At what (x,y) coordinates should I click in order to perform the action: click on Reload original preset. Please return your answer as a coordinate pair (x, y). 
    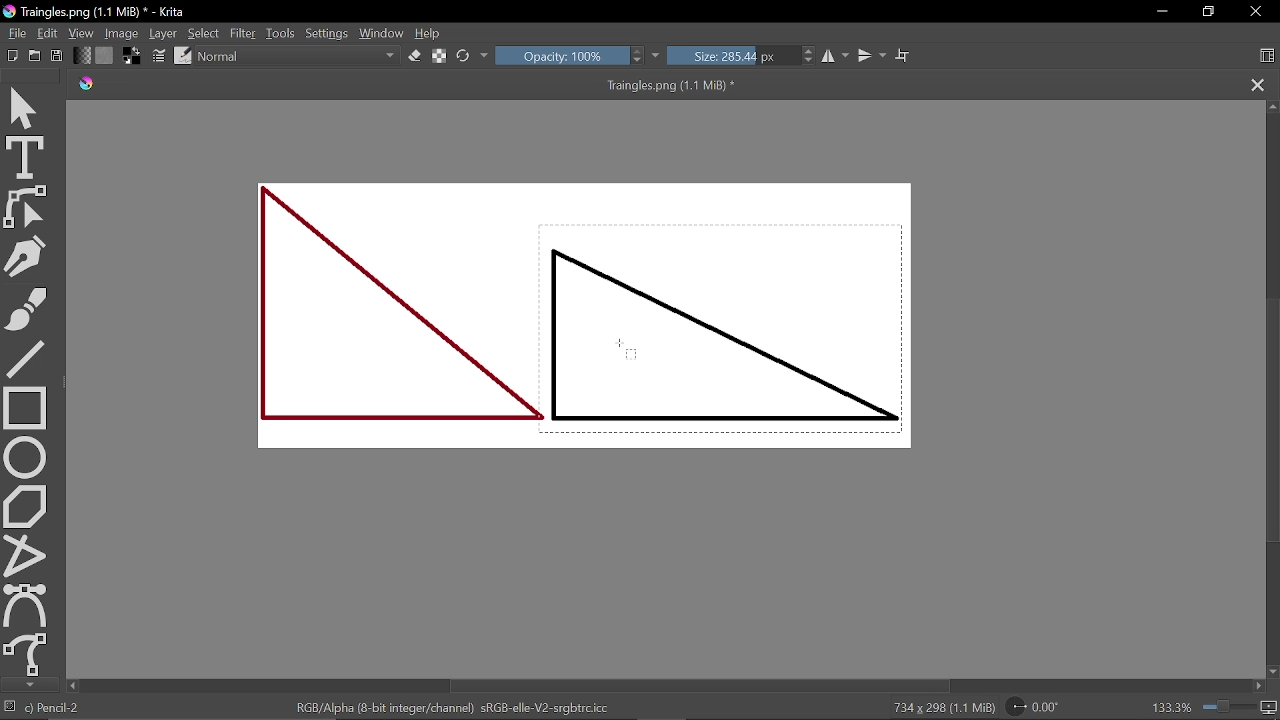
    Looking at the image, I should click on (473, 56).